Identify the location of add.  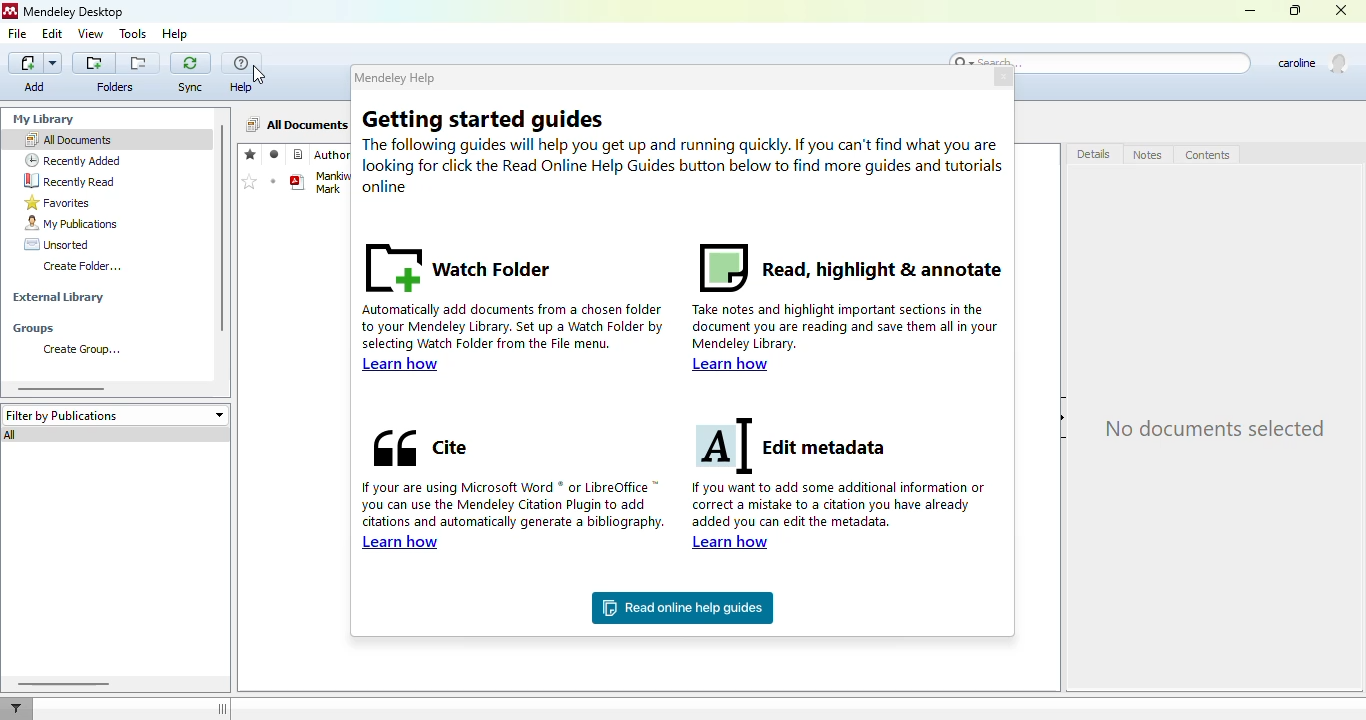
(37, 72).